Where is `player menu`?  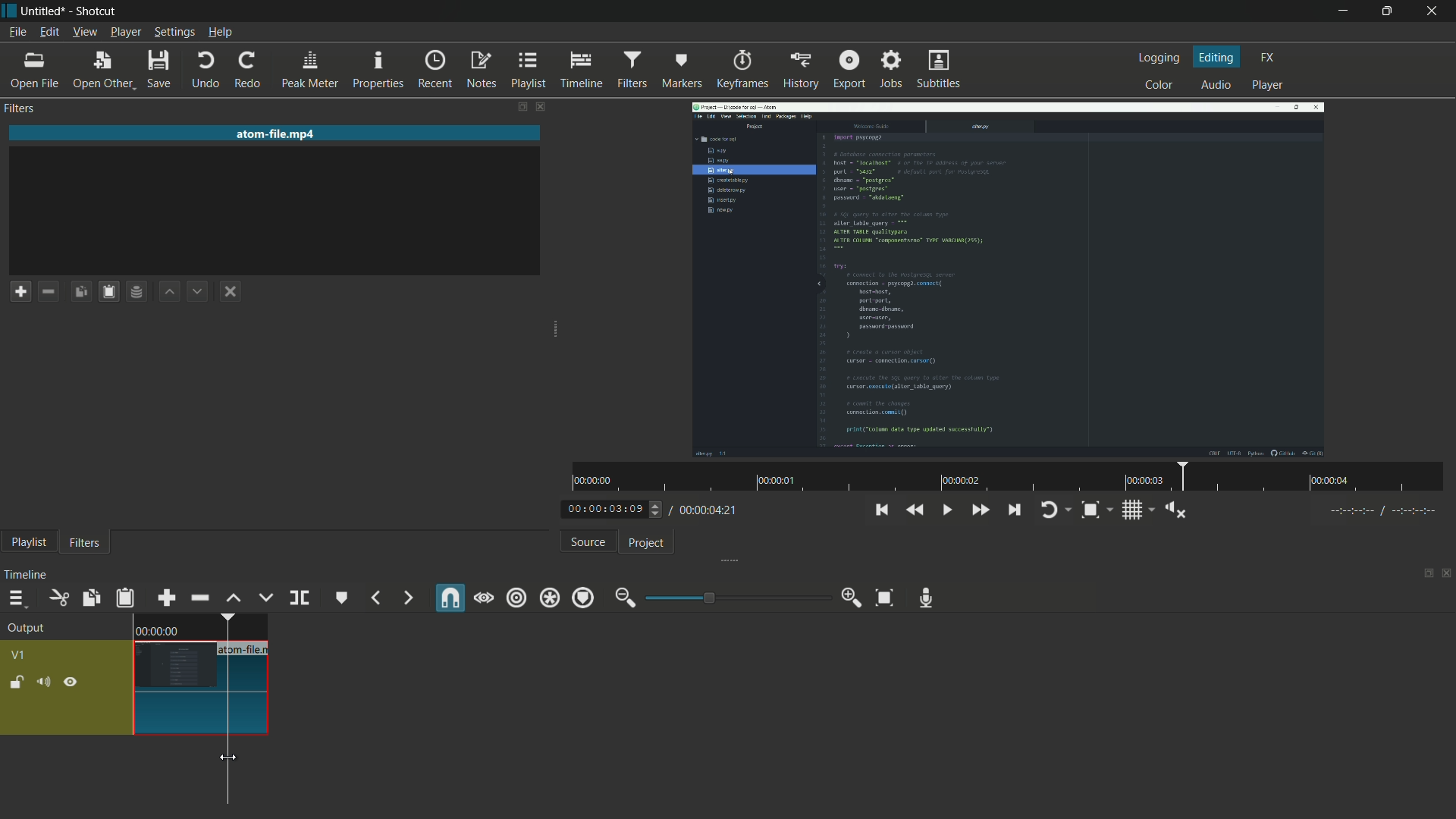 player menu is located at coordinates (127, 33).